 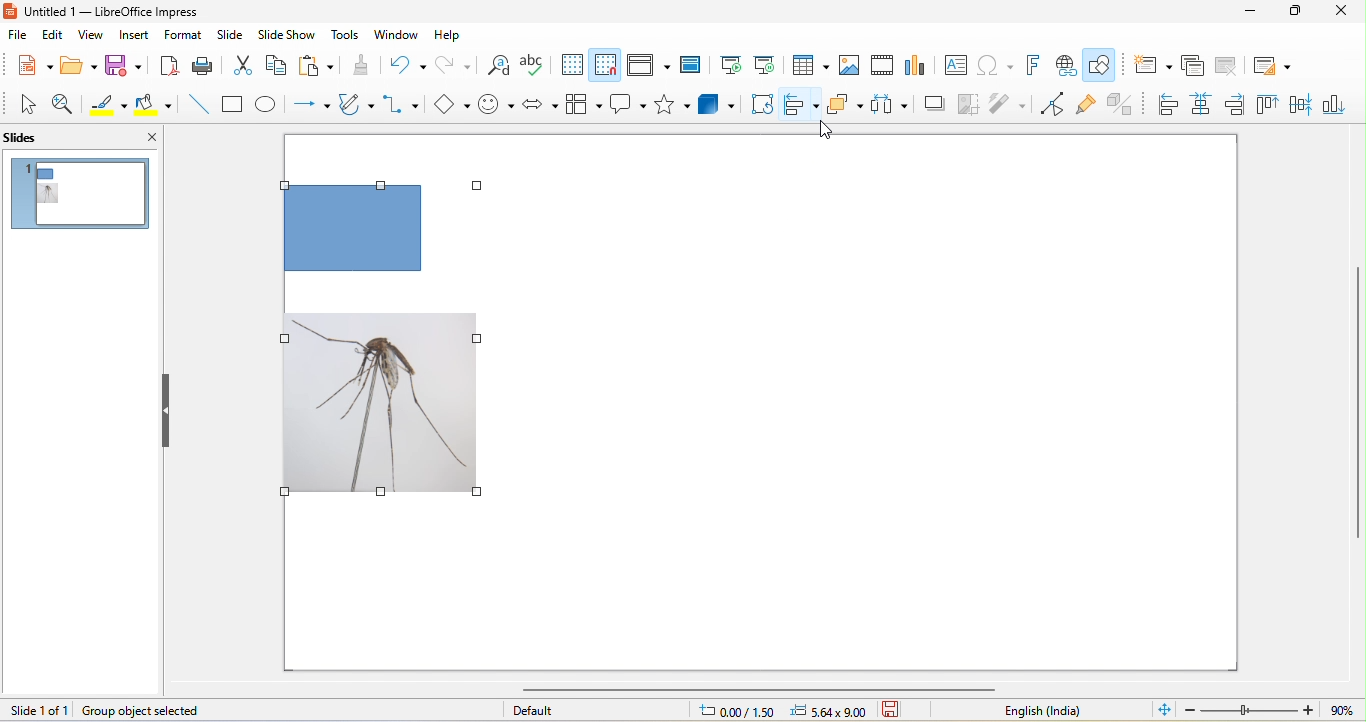 I want to click on line, so click(x=201, y=105).